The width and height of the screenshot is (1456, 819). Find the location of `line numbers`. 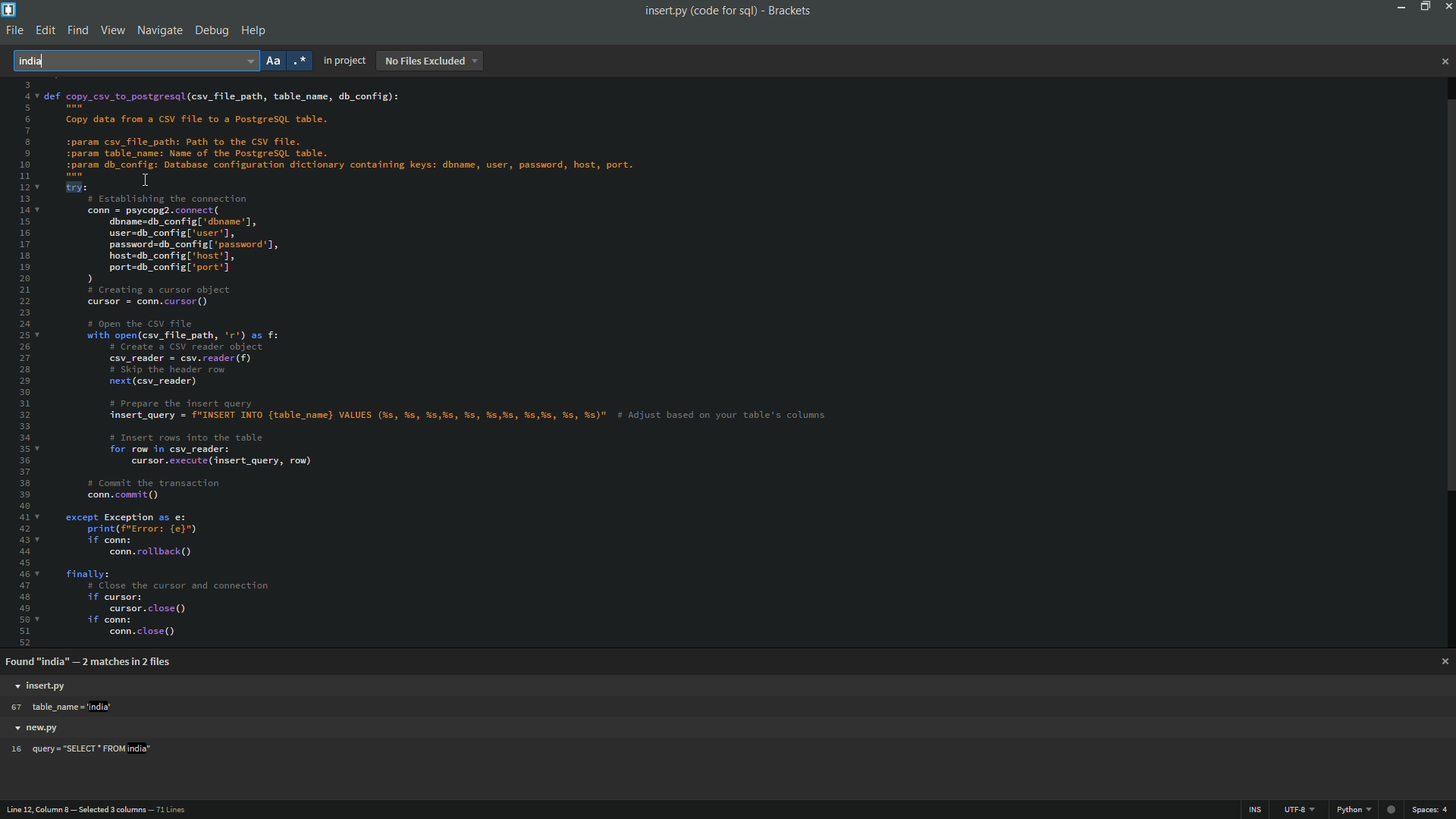

line numbers is located at coordinates (21, 362).